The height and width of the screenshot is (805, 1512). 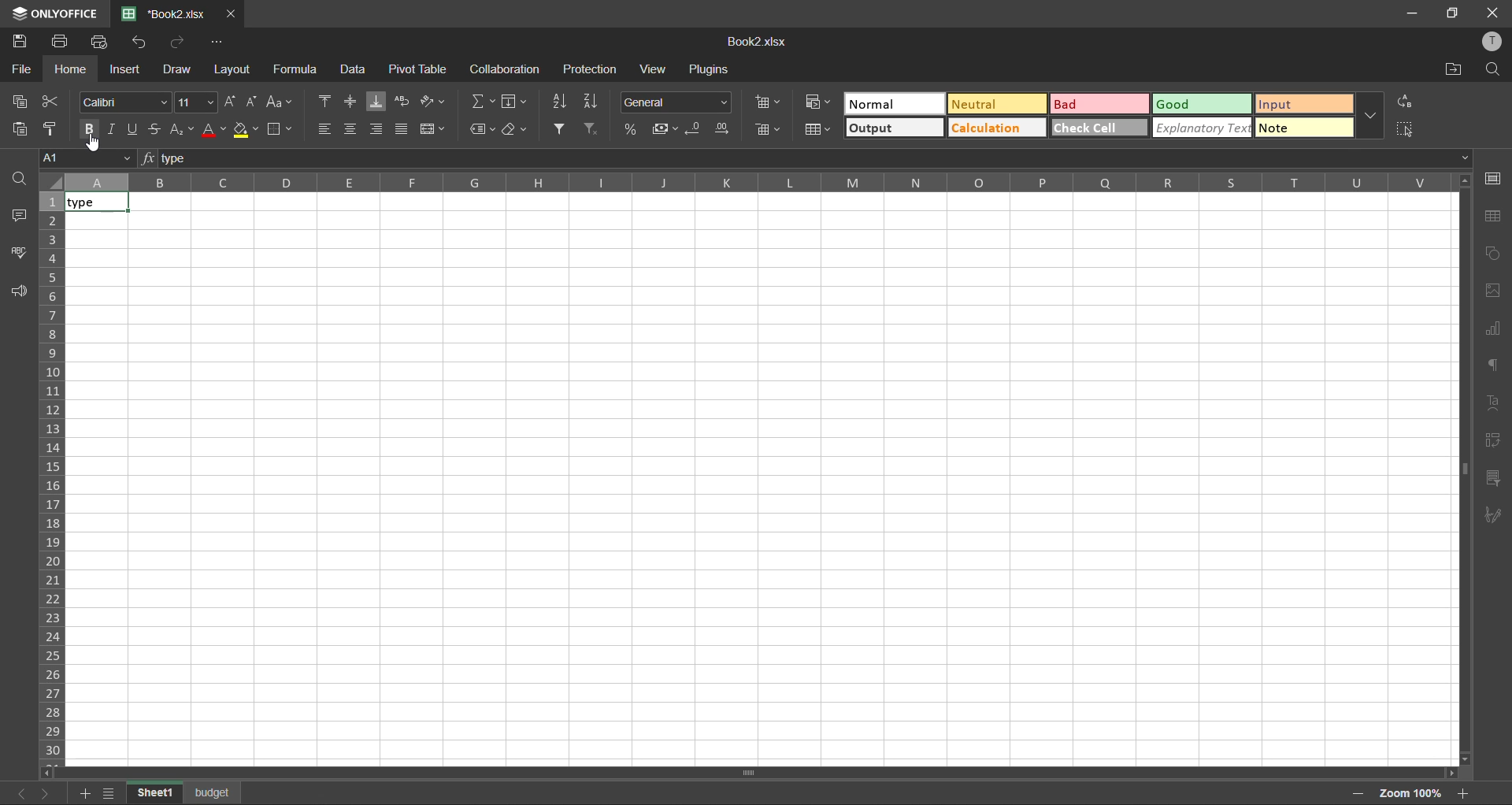 I want to click on close tab, so click(x=232, y=12).